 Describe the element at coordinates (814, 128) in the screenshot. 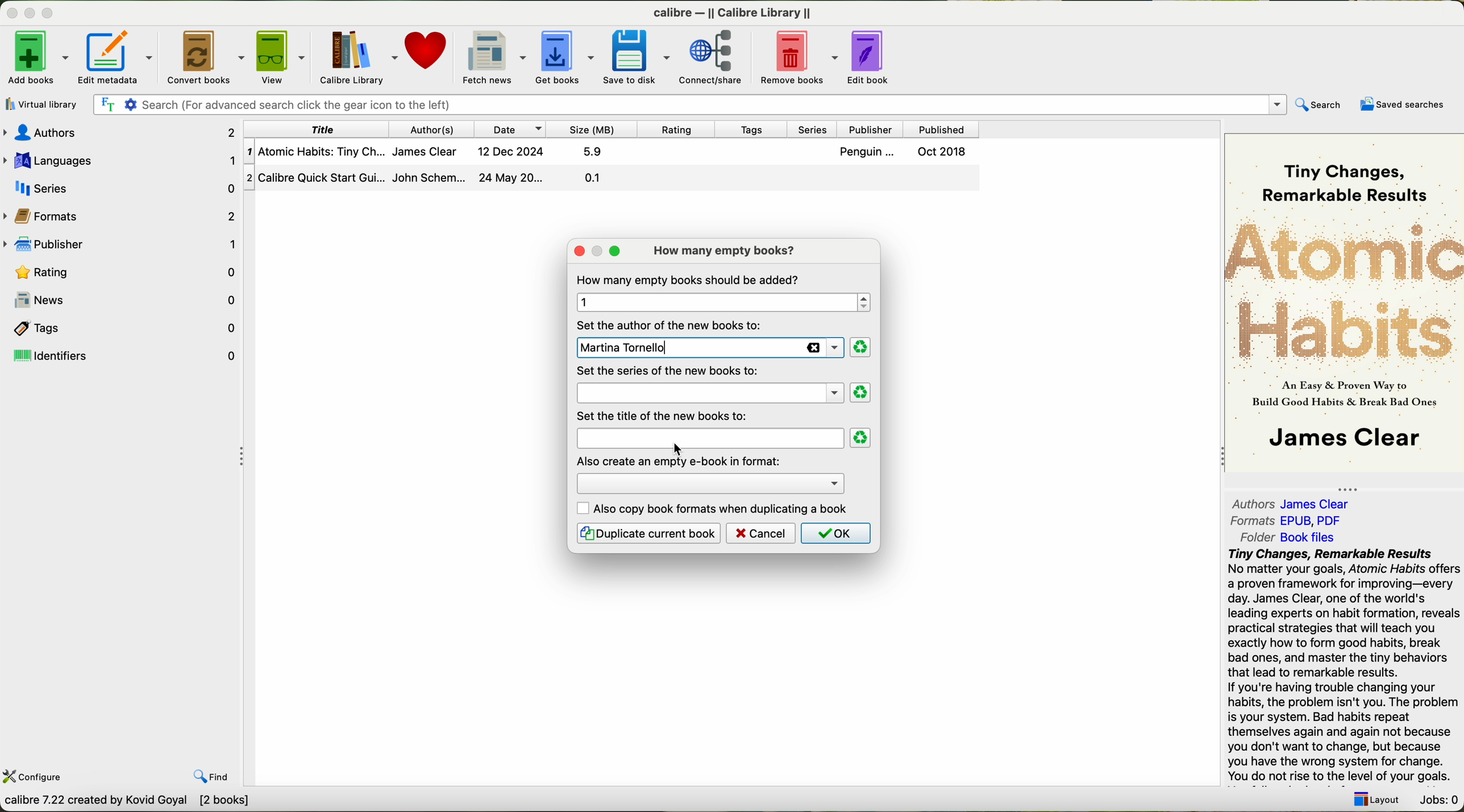

I see `series` at that location.